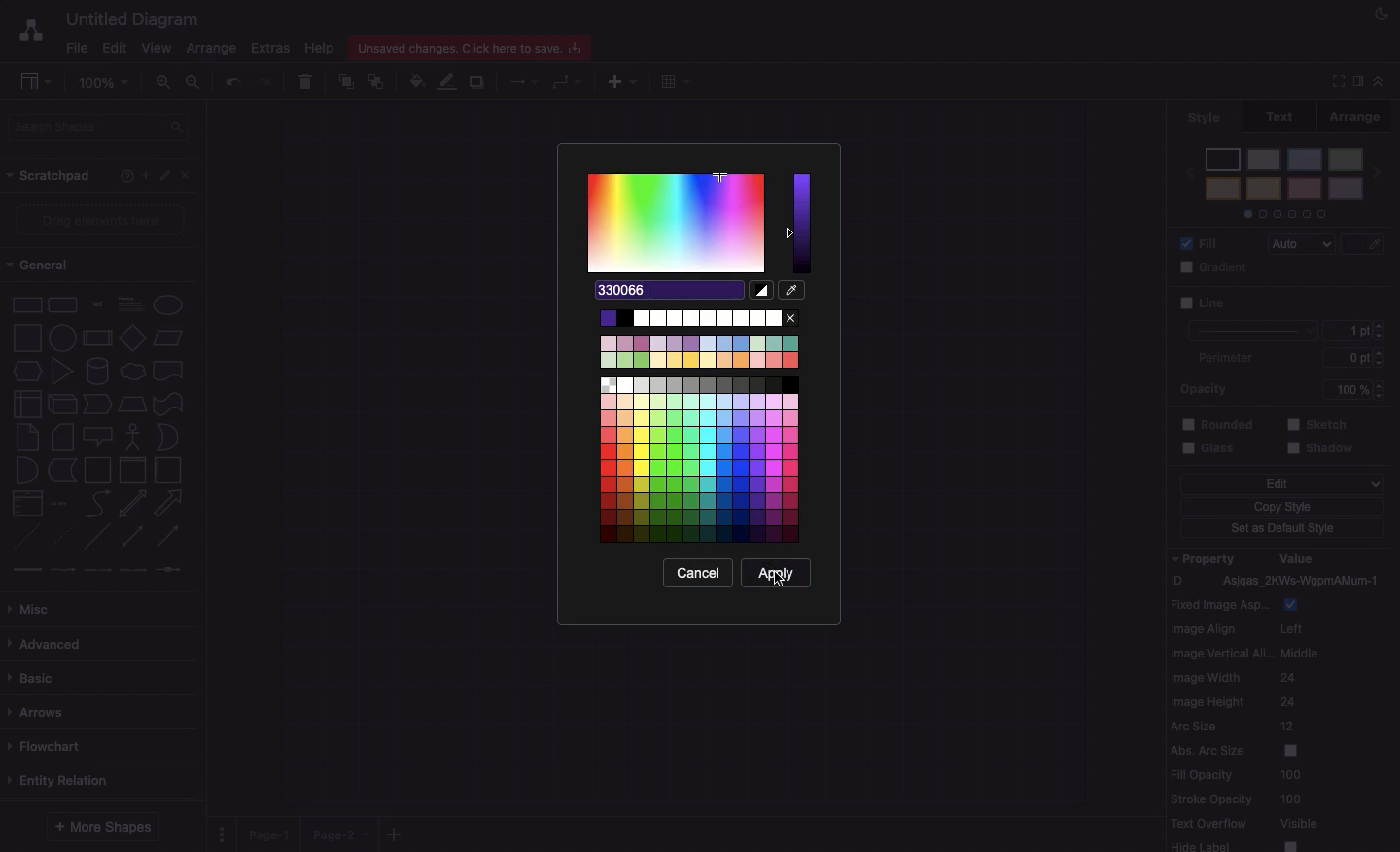 The image size is (1400, 852). I want to click on Options, so click(222, 828).